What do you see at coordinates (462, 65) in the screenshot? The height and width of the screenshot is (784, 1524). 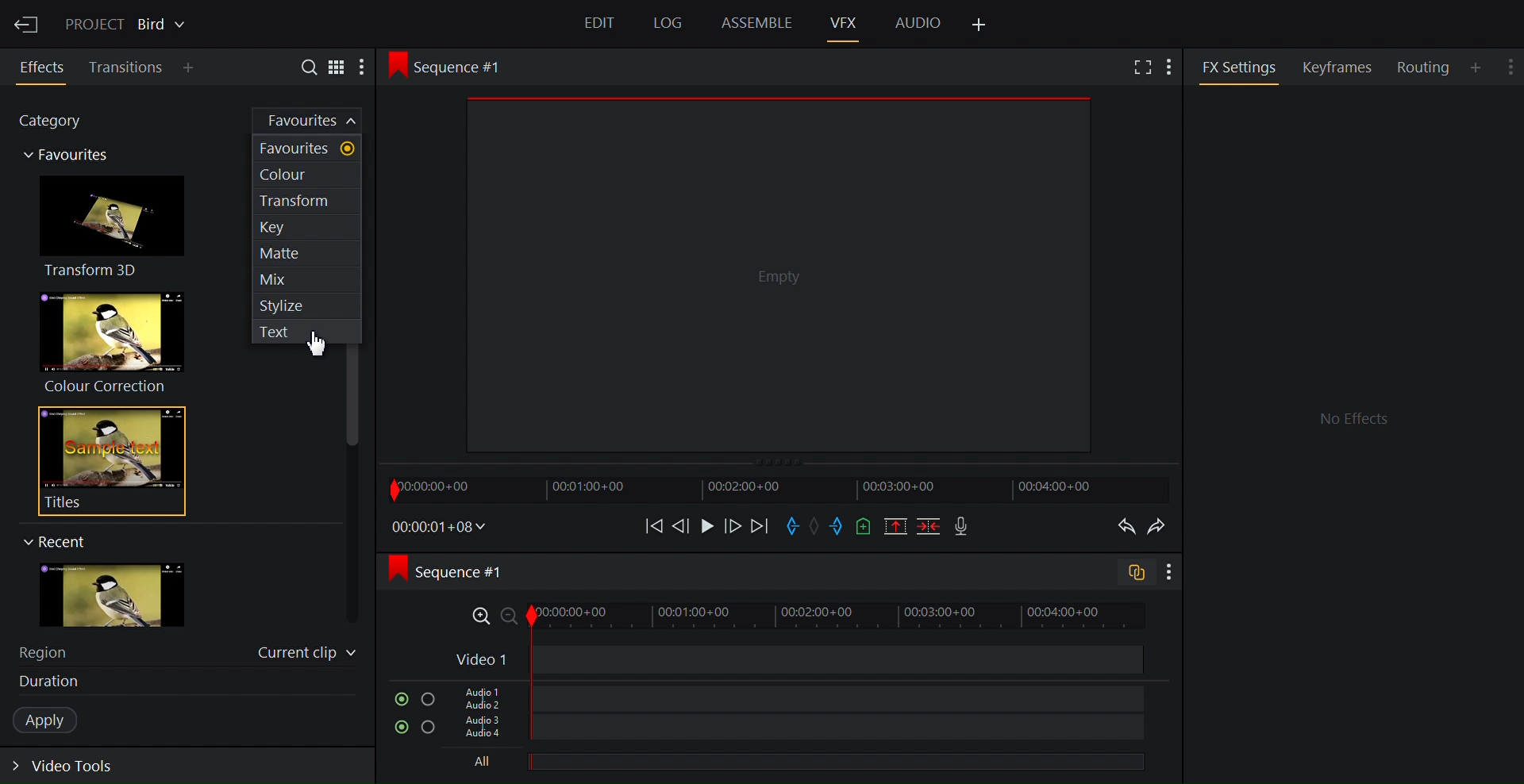 I see `Sequence` at bounding box center [462, 65].